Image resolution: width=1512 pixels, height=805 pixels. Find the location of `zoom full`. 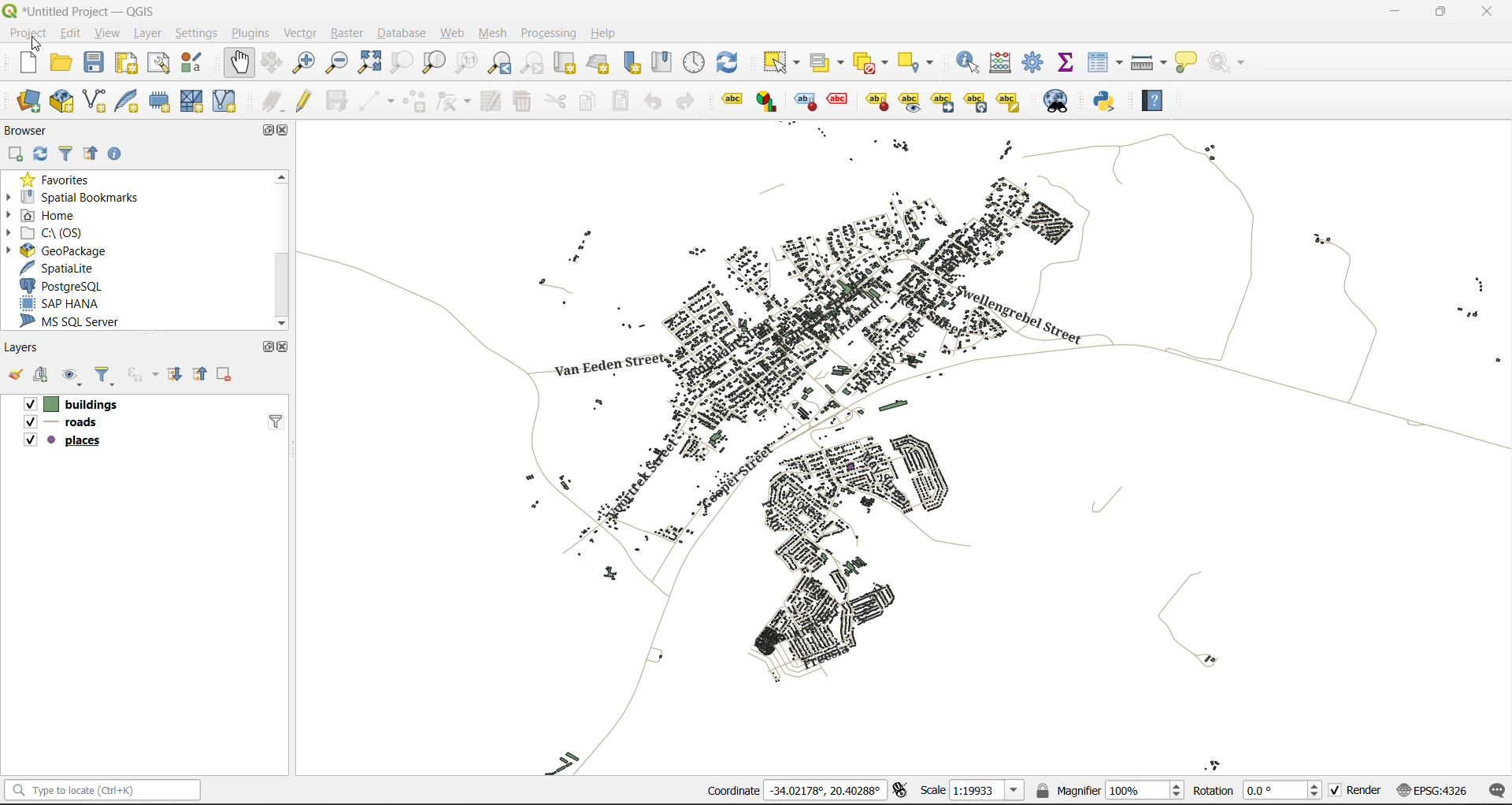

zoom full is located at coordinates (368, 63).